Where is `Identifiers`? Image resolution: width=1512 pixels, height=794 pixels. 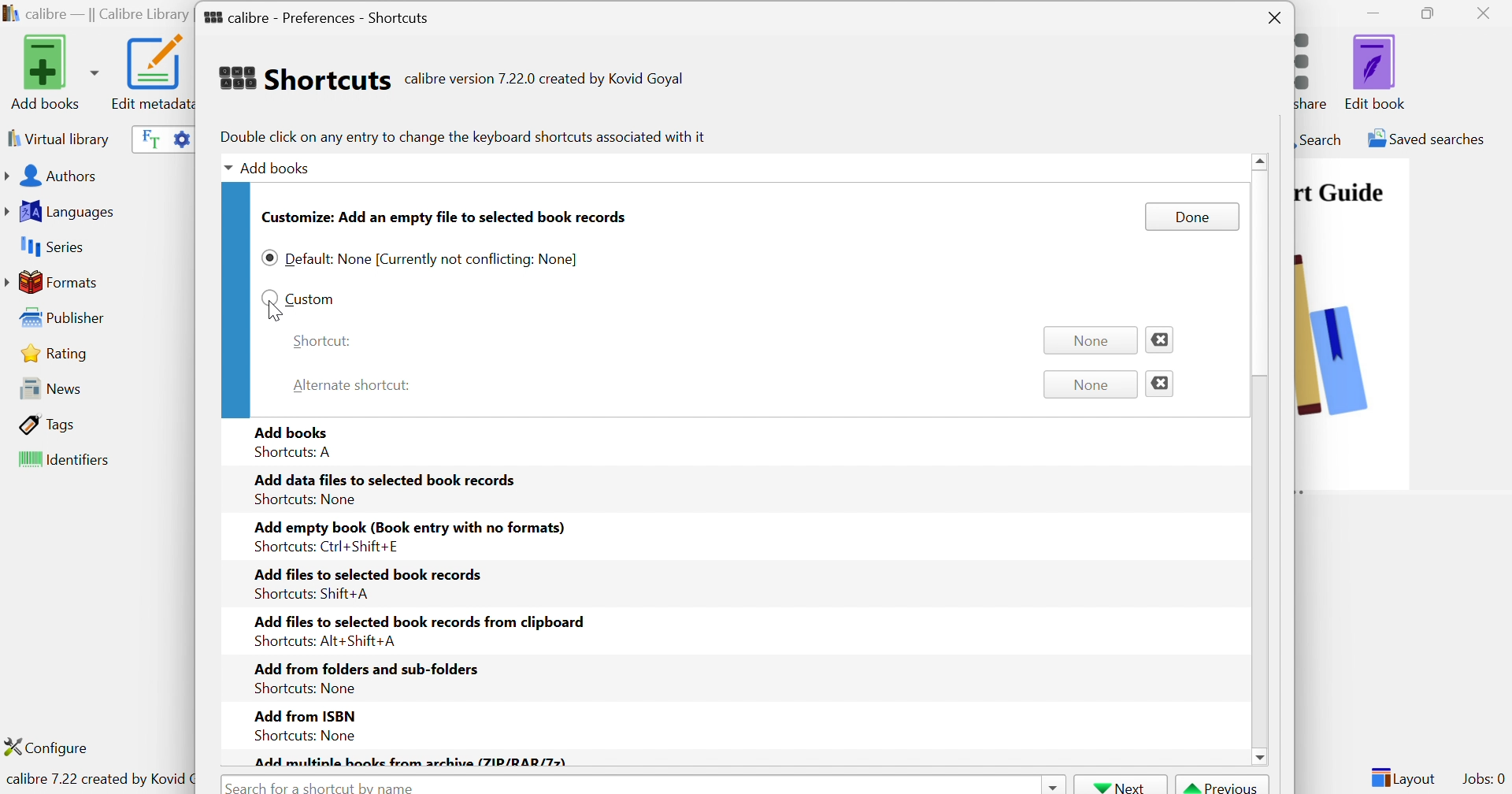 Identifiers is located at coordinates (67, 461).